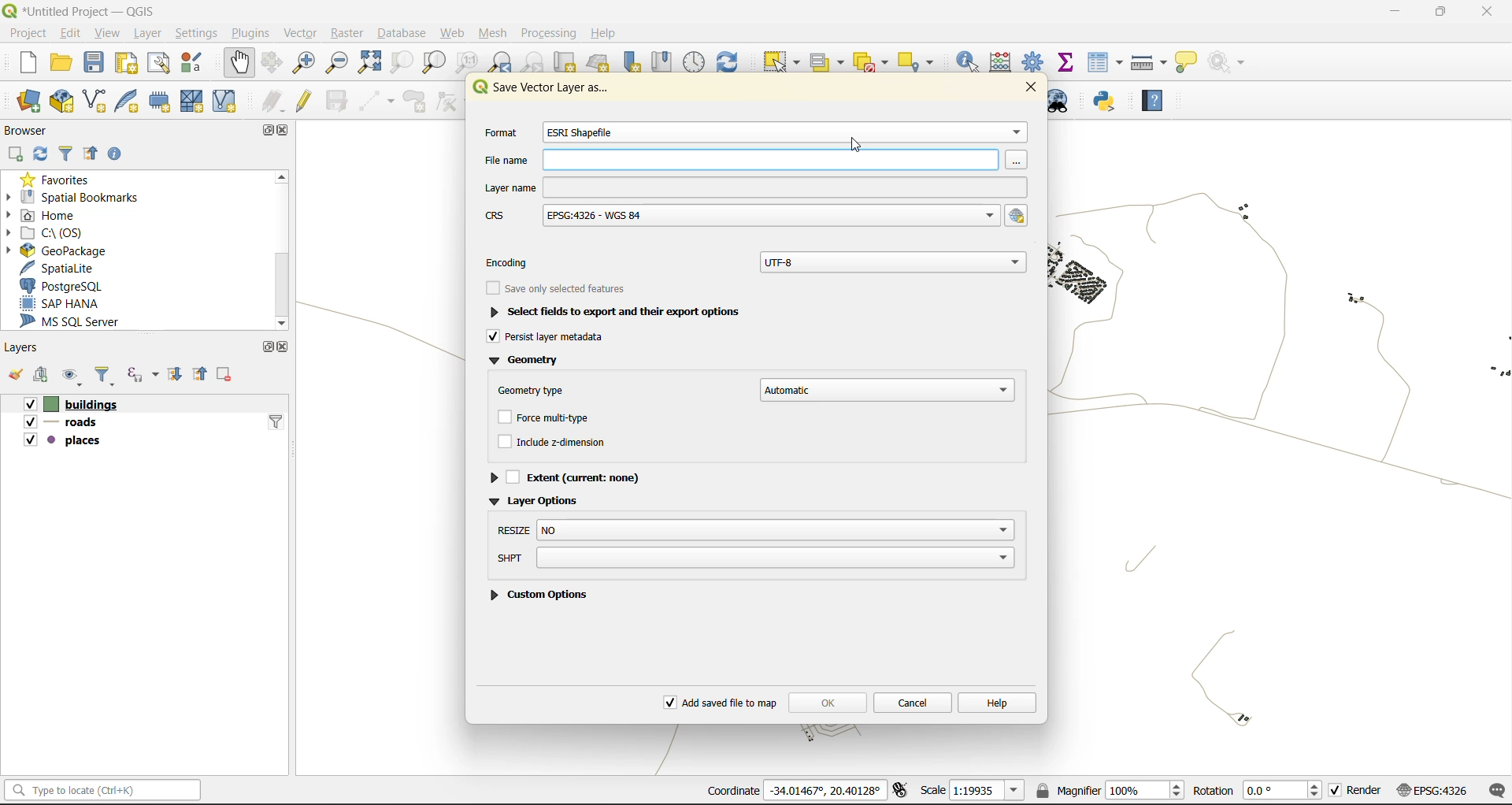 Image resolution: width=1512 pixels, height=805 pixels. What do you see at coordinates (665, 62) in the screenshot?
I see `show spatial bookmark` at bounding box center [665, 62].